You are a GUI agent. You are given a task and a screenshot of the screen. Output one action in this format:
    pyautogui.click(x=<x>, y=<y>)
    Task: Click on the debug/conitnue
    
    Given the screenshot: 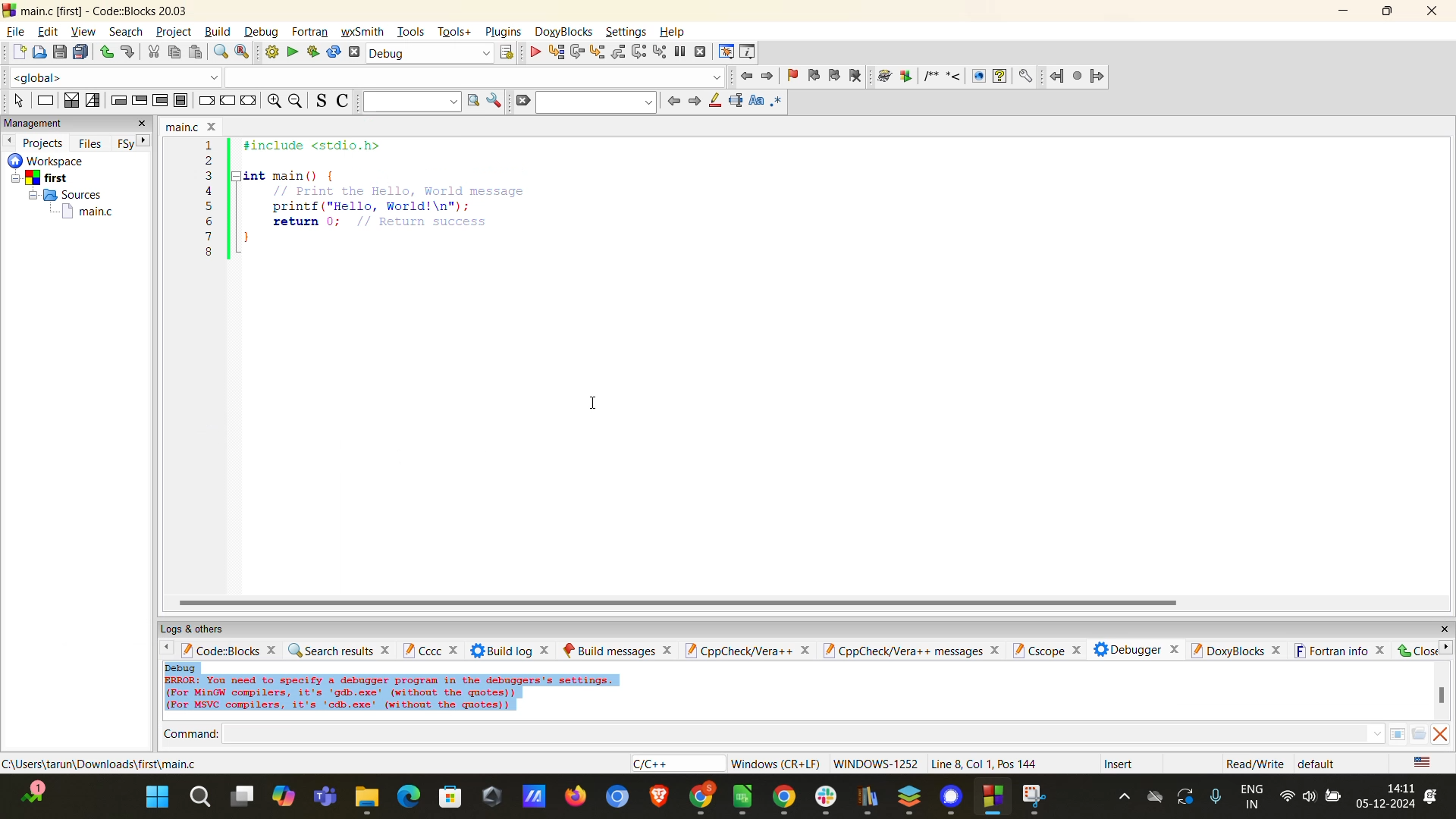 What is the action you would take?
    pyautogui.click(x=534, y=54)
    